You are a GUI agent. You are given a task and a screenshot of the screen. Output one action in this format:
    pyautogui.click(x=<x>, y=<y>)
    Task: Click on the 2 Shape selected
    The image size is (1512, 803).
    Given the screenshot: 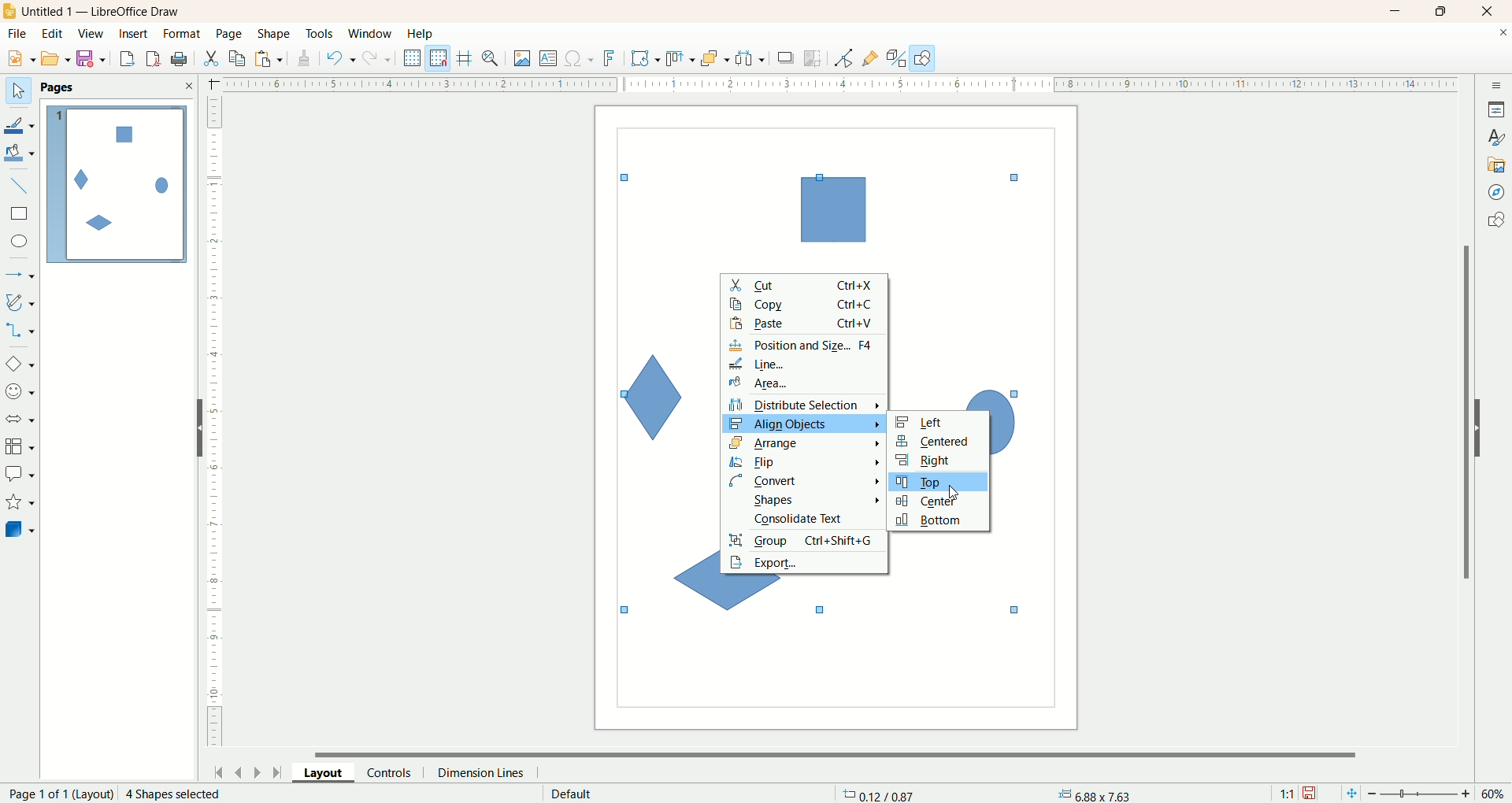 What is the action you would take?
    pyautogui.click(x=172, y=794)
    